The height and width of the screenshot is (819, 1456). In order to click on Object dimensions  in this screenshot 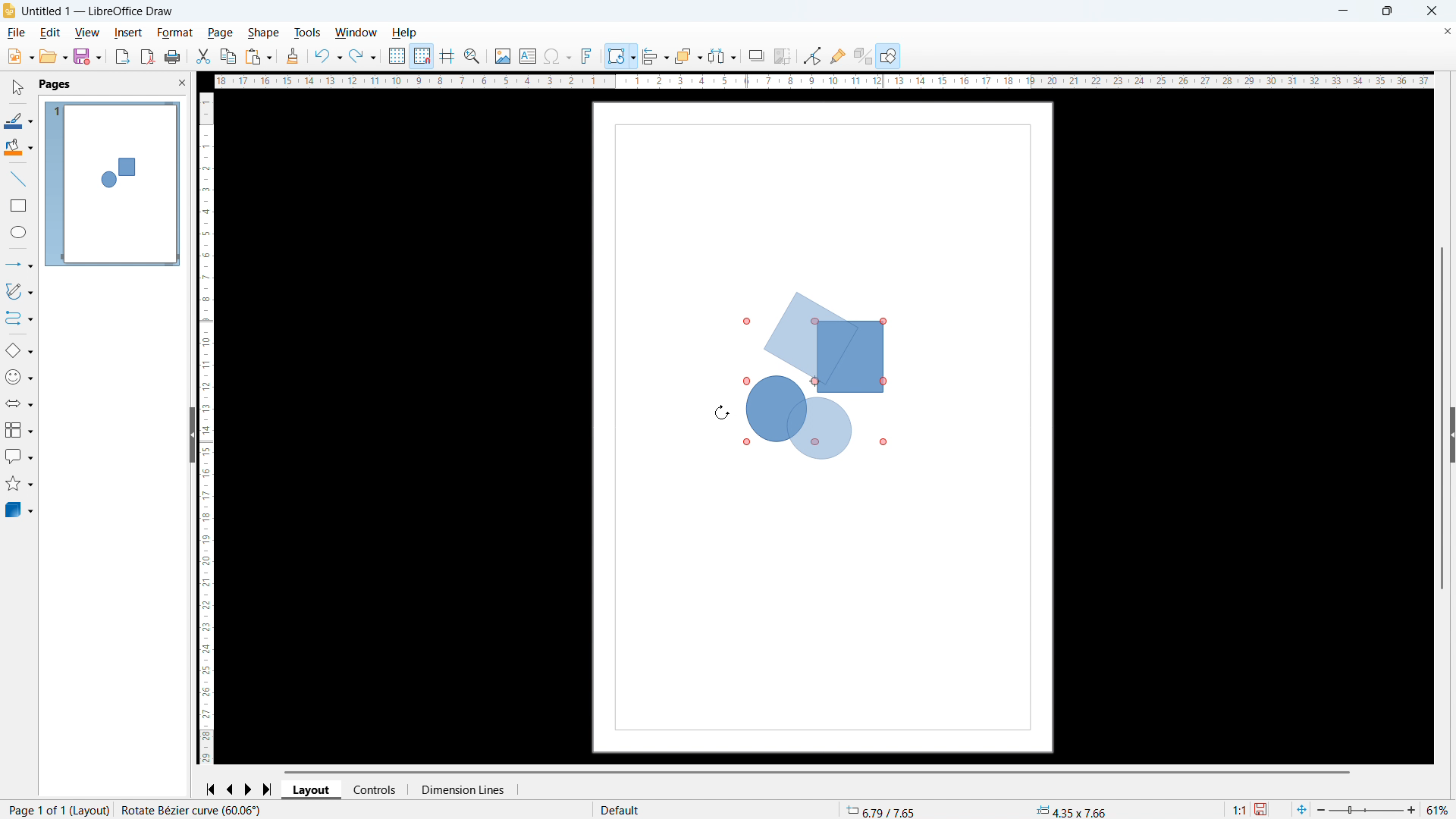, I will do `click(1072, 811)`.